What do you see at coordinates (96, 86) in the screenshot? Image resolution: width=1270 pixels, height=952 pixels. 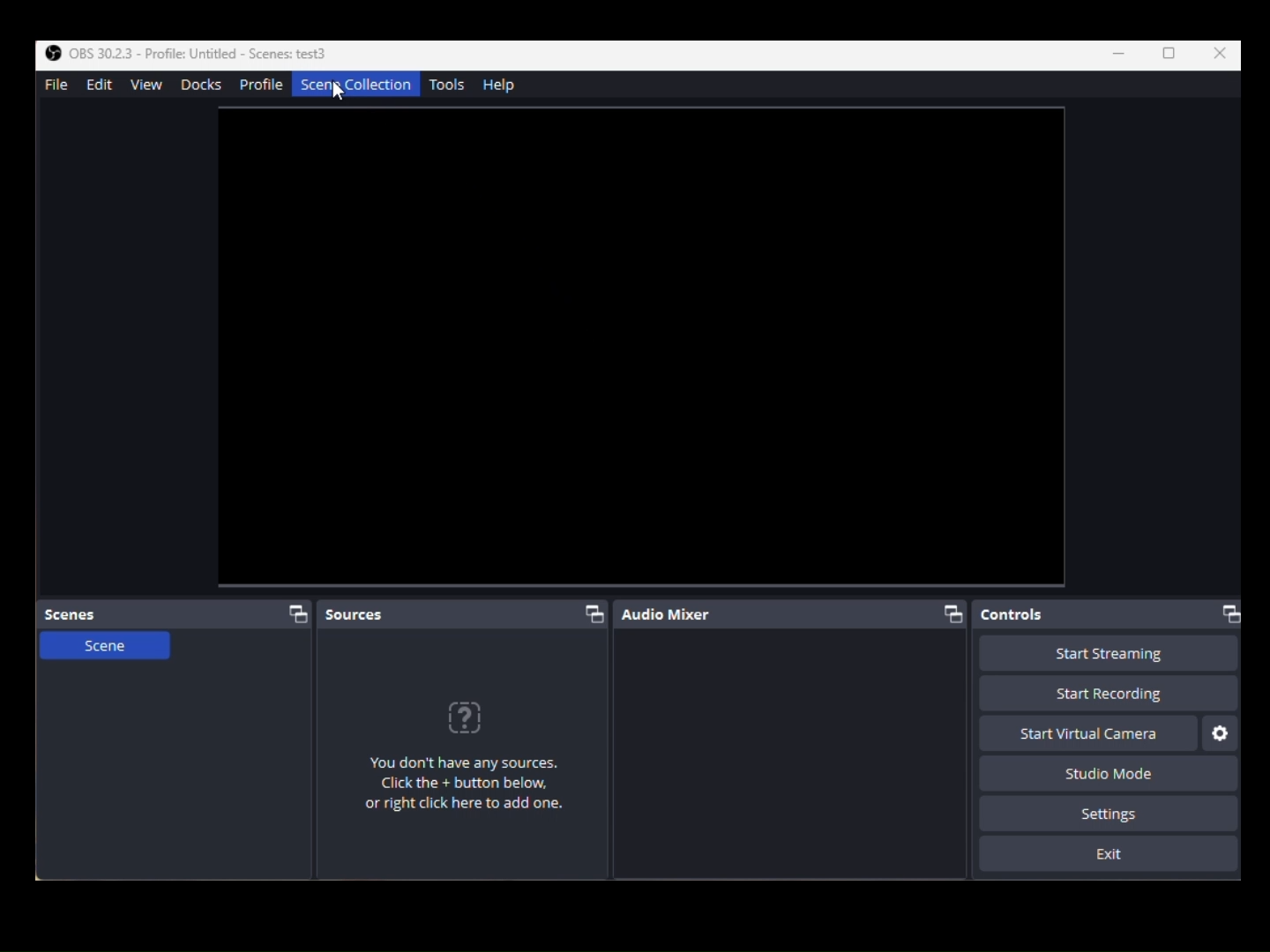 I see `Edit` at bounding box center [96, 86].